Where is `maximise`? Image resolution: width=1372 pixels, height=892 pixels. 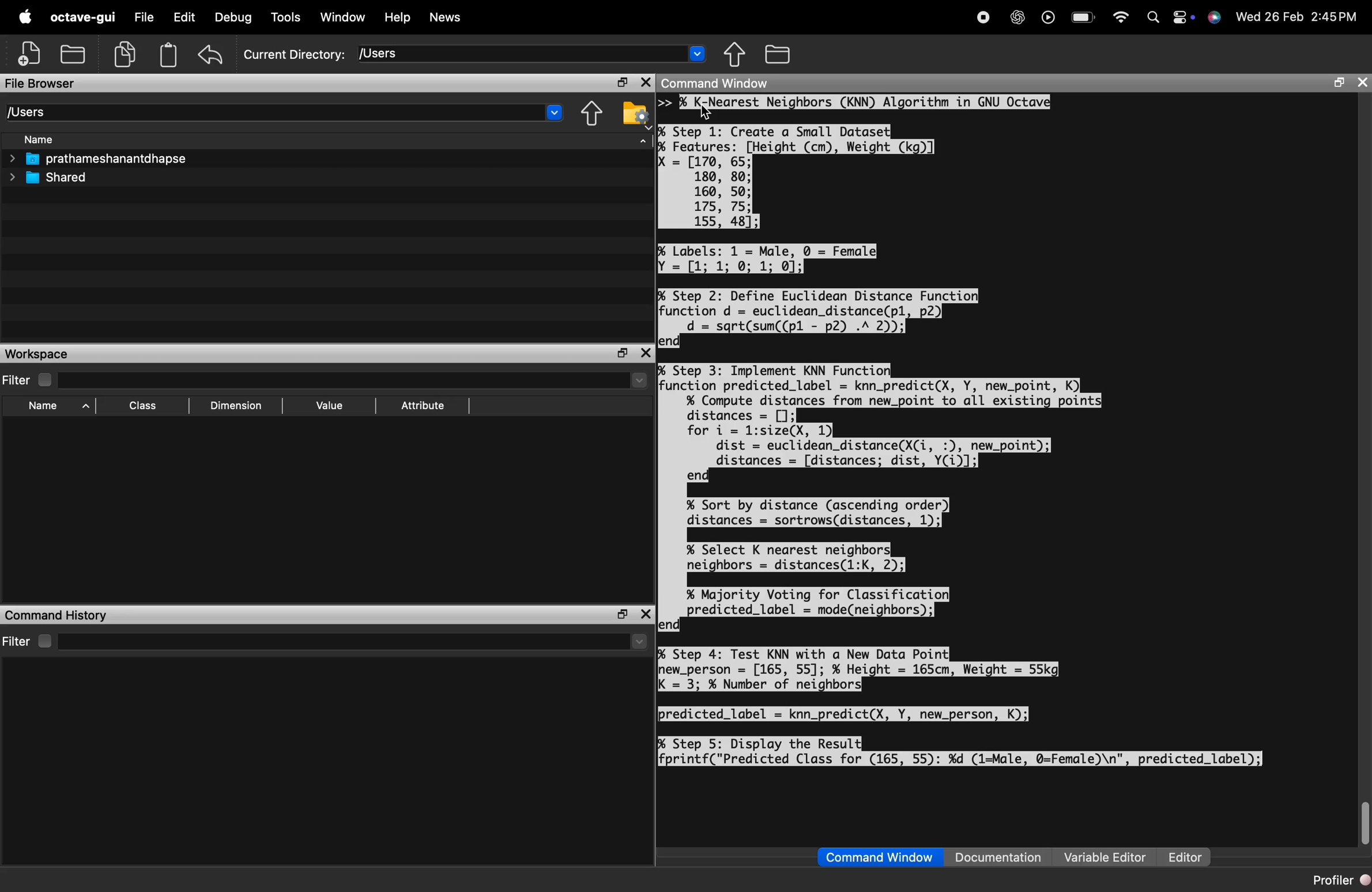
maximise is located at coordinates (618, 80).